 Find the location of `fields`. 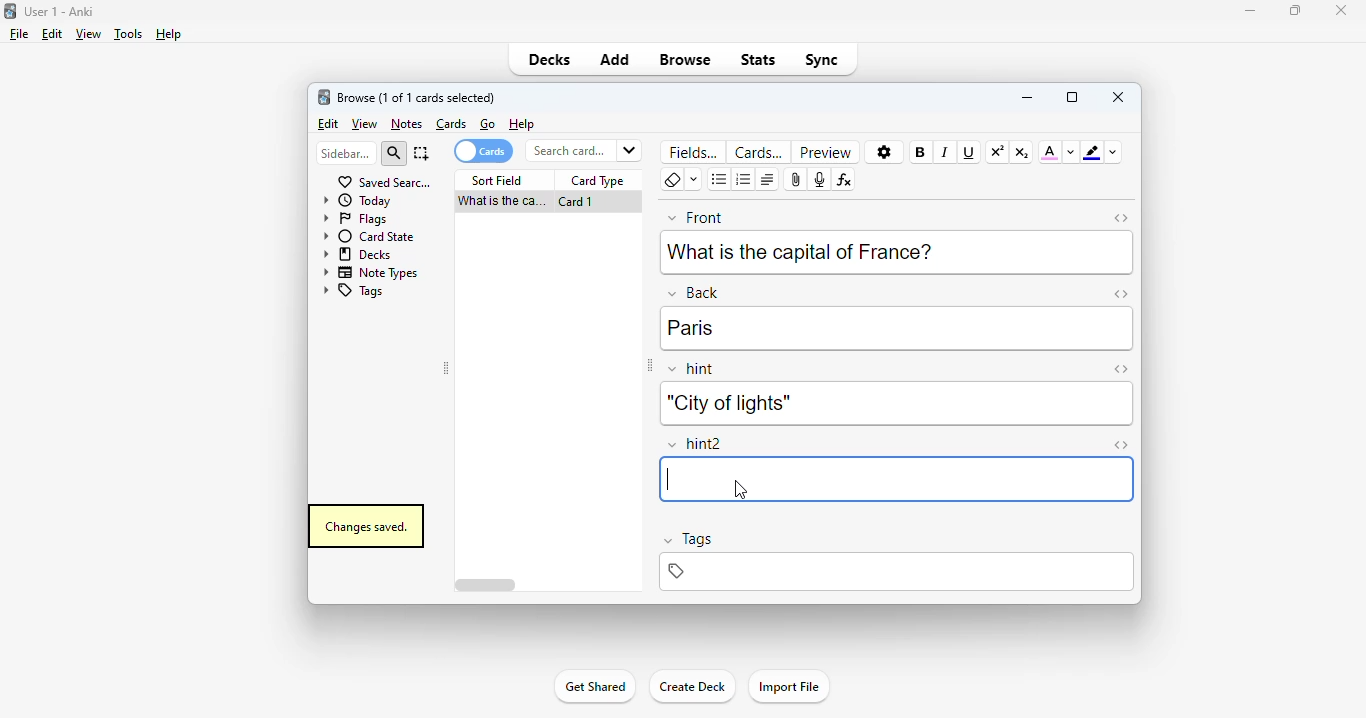

fields is located at coordinates (695, 151).